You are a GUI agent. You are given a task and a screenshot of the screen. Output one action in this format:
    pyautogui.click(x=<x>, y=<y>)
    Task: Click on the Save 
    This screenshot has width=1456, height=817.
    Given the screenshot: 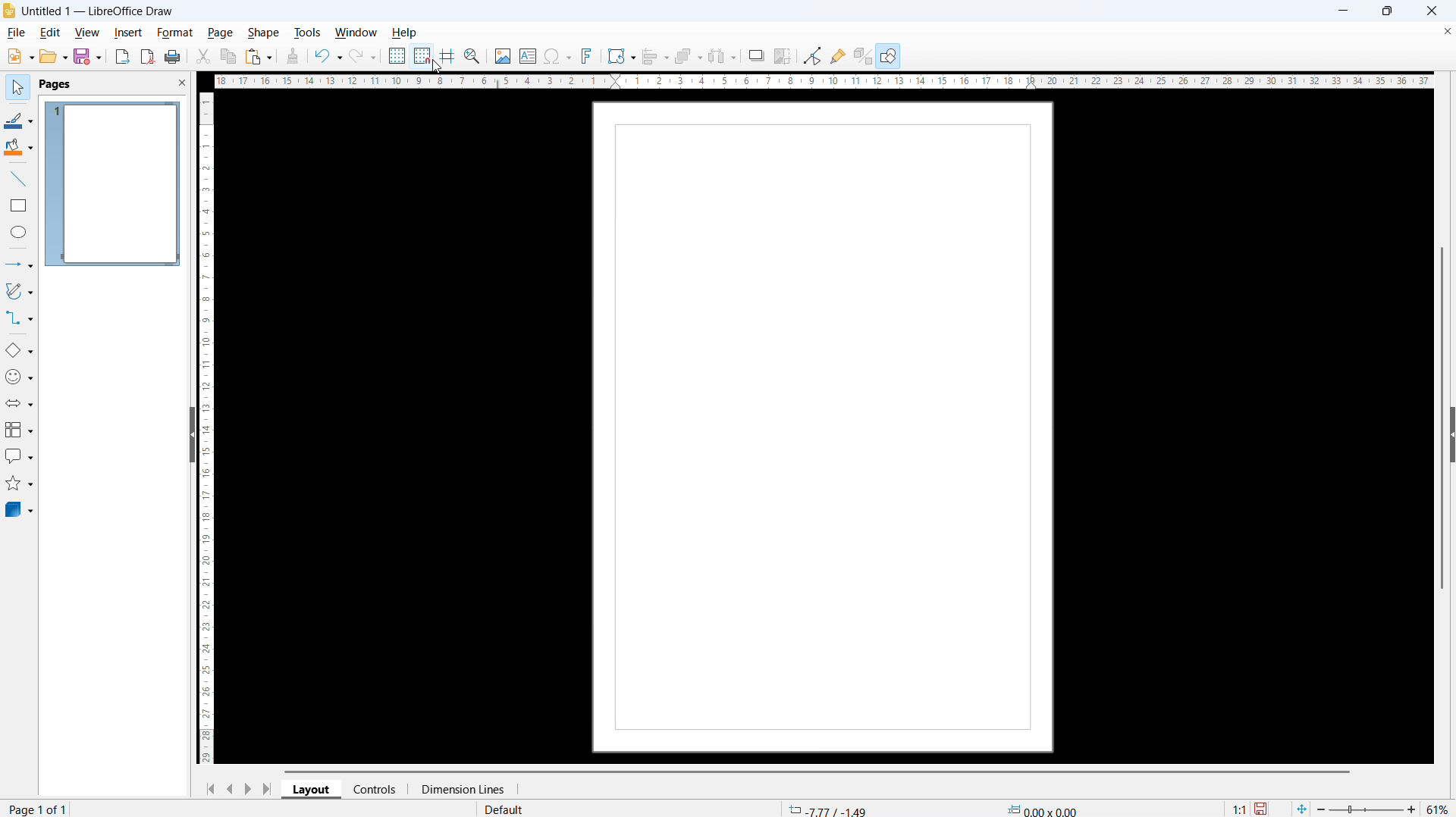 What is the action you would take?
    pyautogui.click(x=89, y=57)
    